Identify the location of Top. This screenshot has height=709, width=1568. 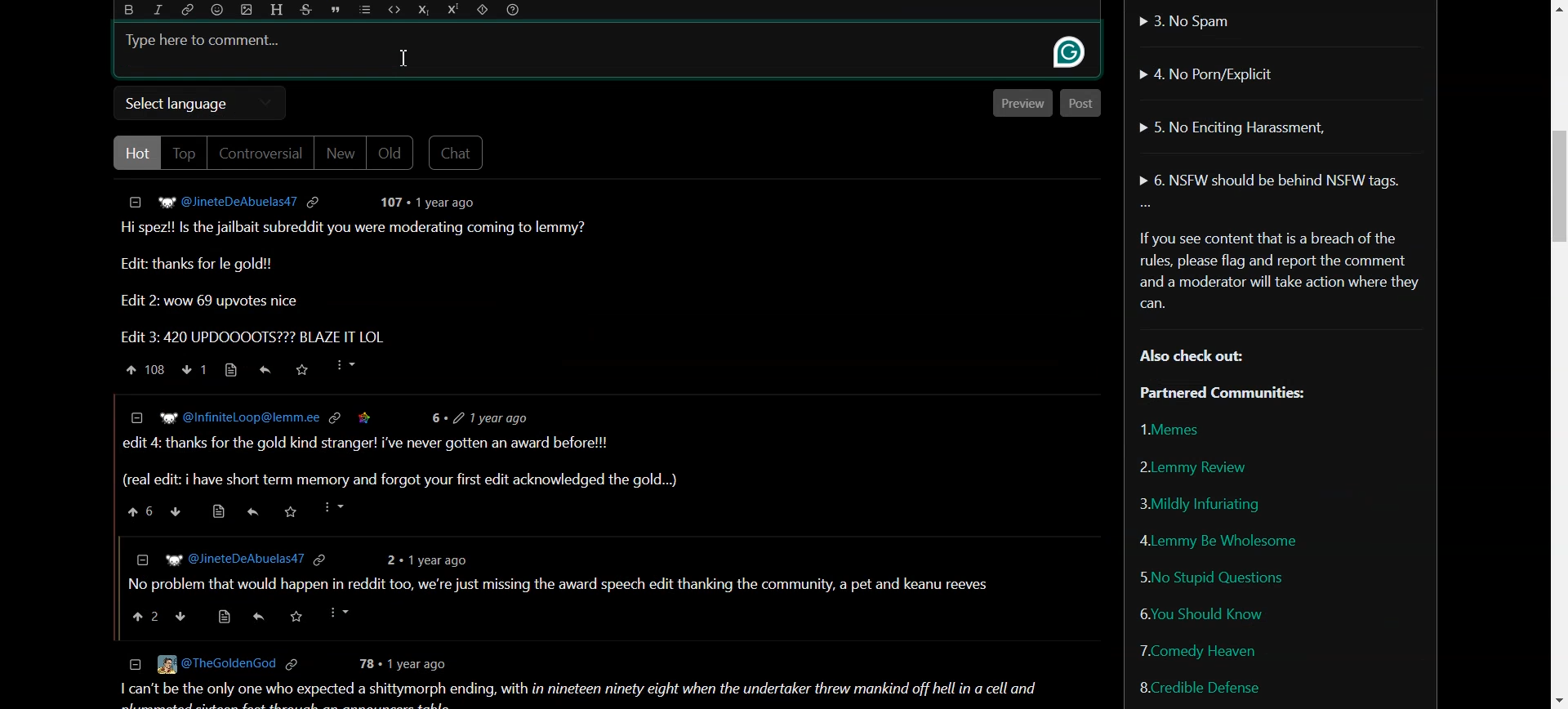
(183, 153).